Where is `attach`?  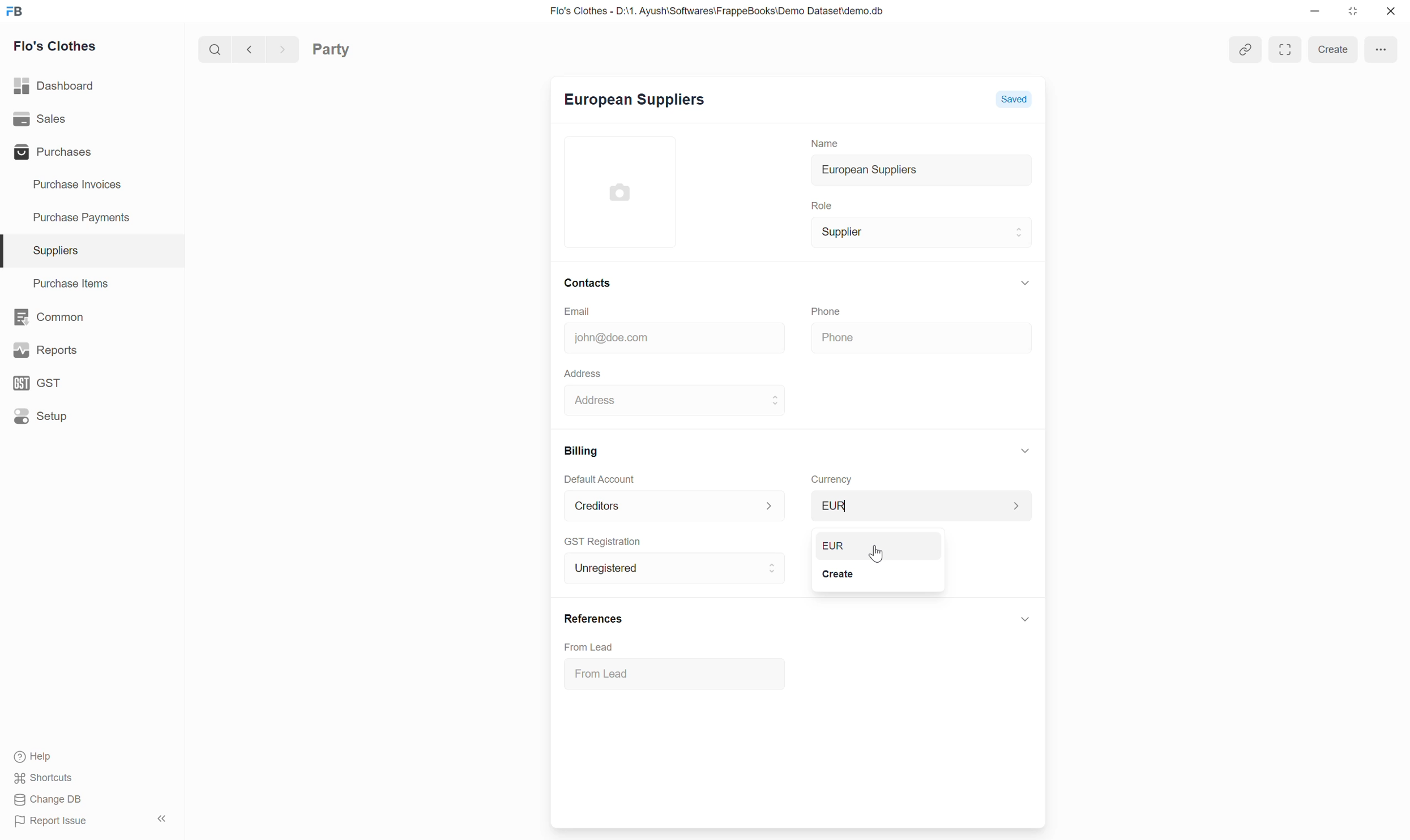 attach is located at coordinates (1246, 48).